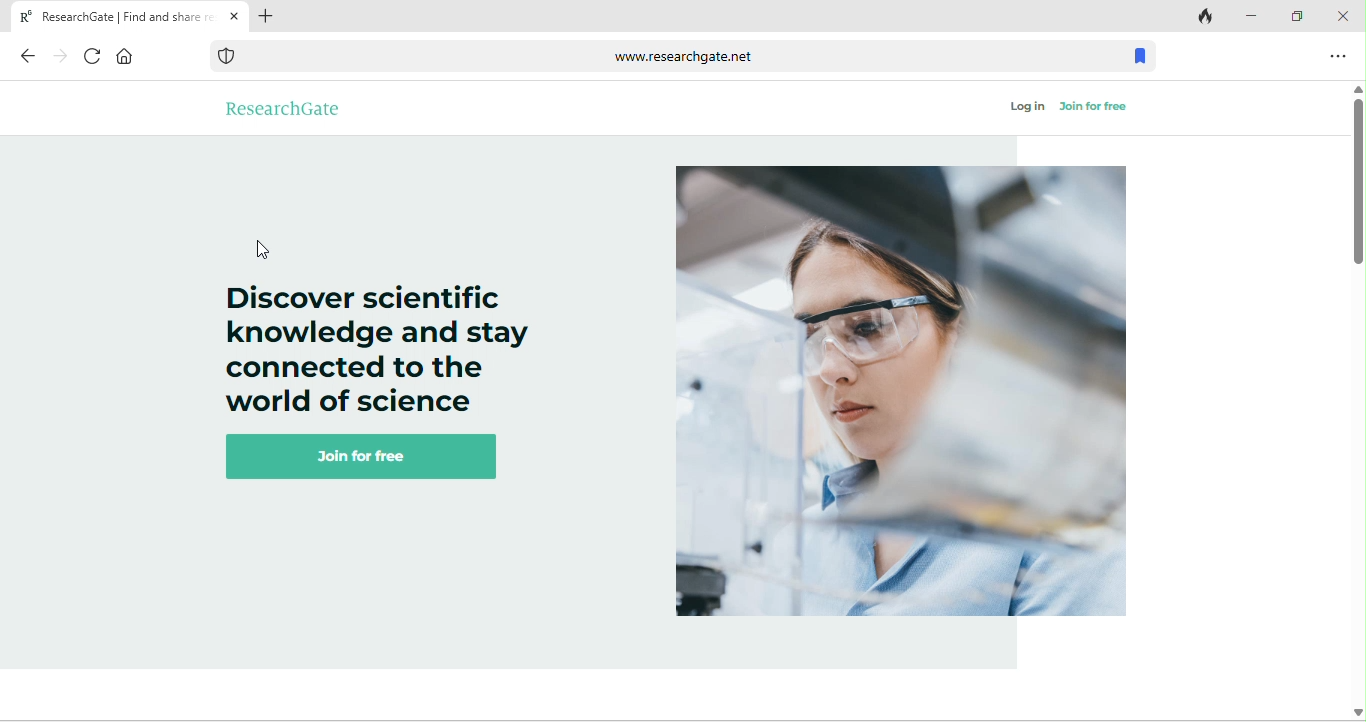  What do you see at coordinates (1027, 110) in the screenshot?
I see `log in` at bounding box center [1027, 110].